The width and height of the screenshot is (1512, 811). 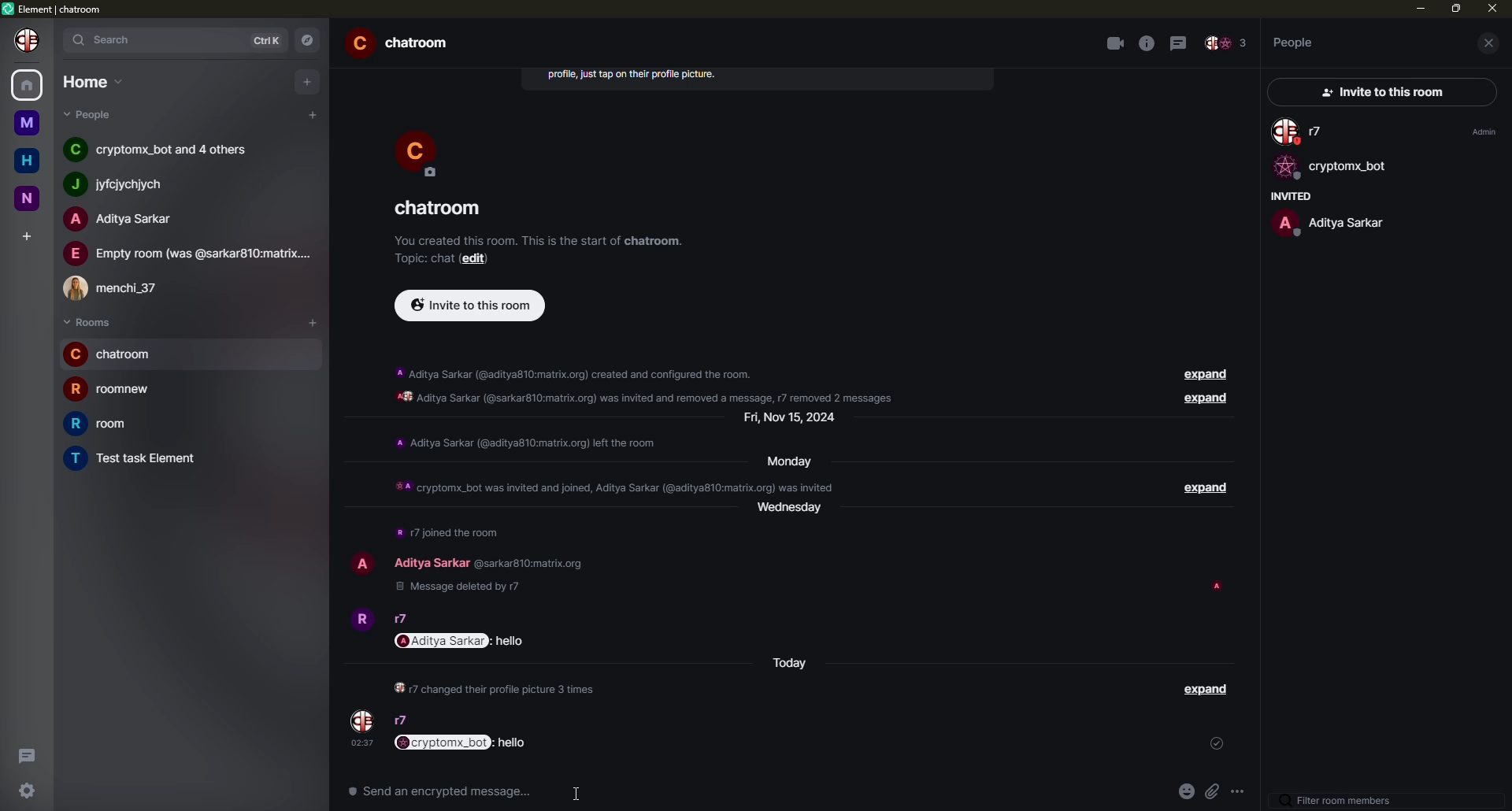 I want to click on people, so click(x=1329, y=222).